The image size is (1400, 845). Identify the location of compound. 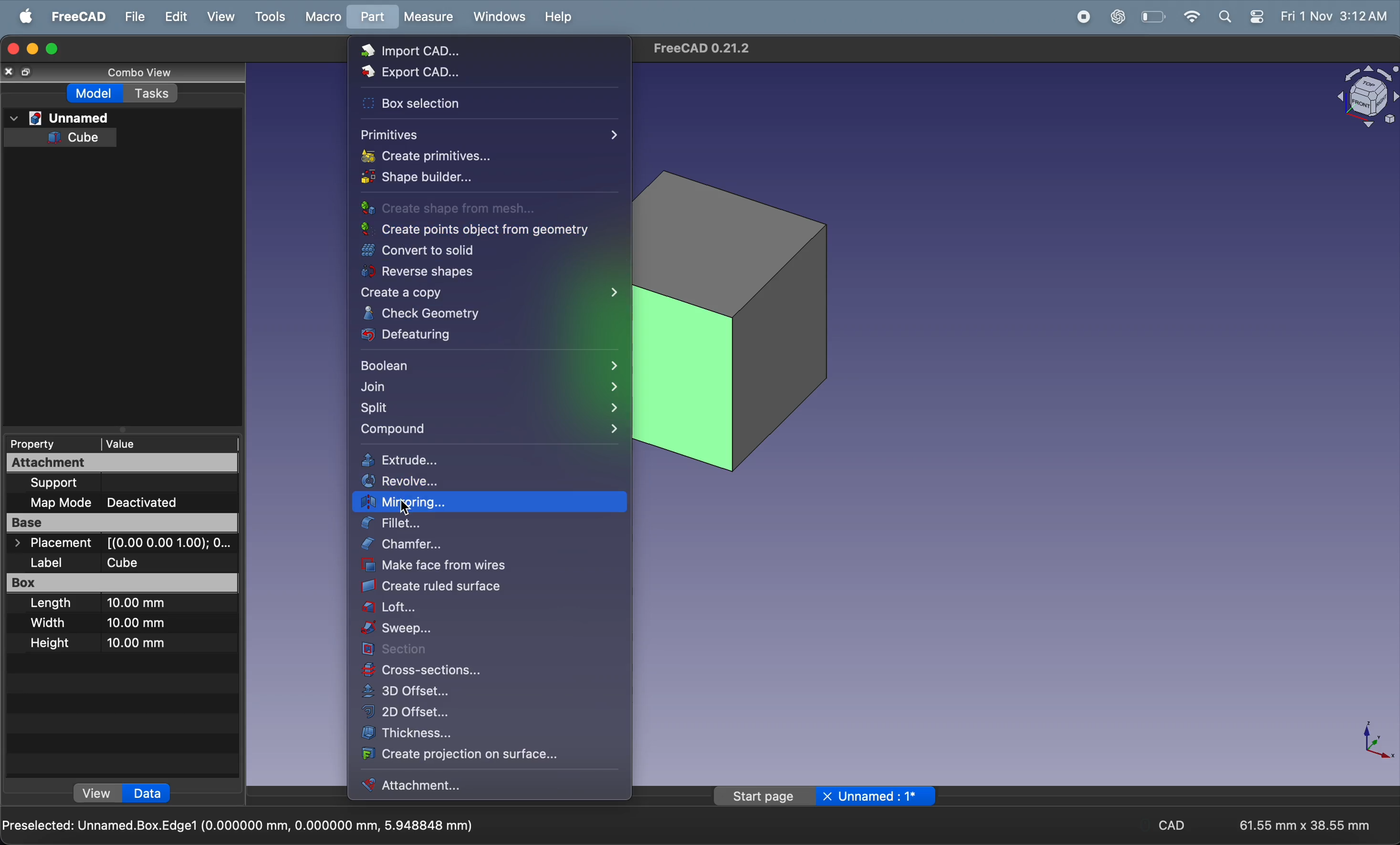
(492, 431).